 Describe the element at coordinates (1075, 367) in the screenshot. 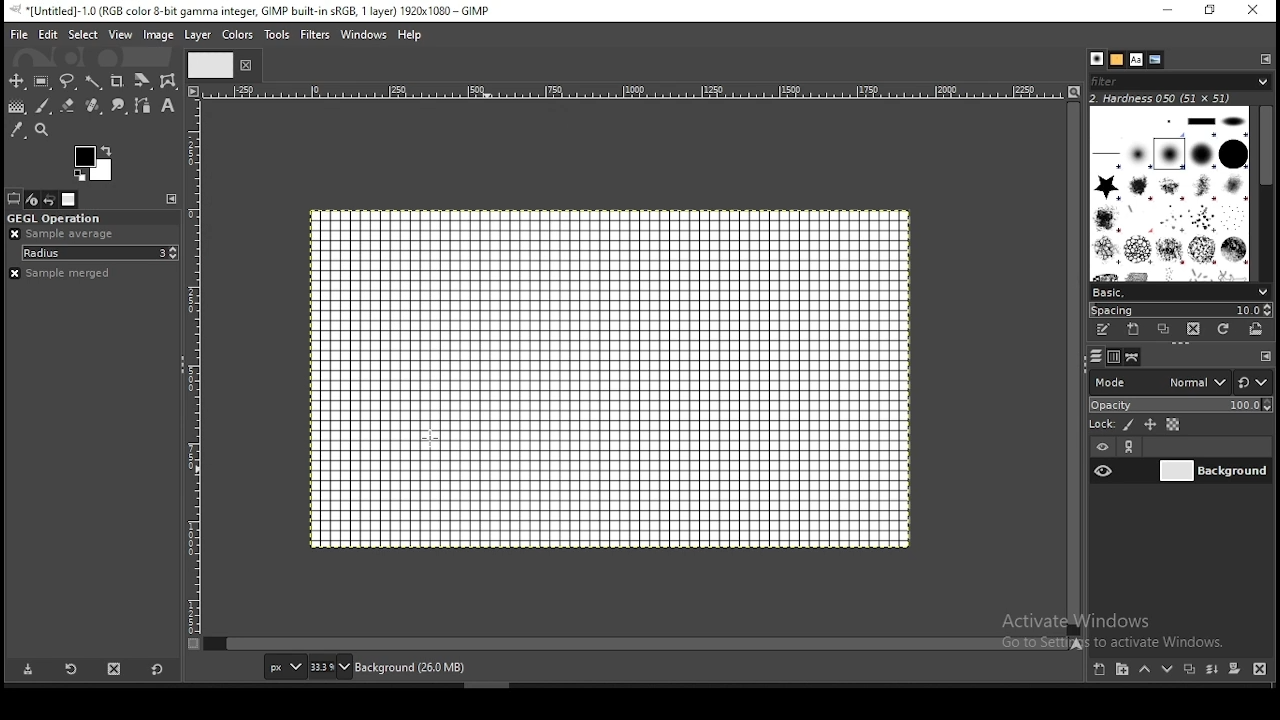

I see `horizontal scroll bar` at that location.